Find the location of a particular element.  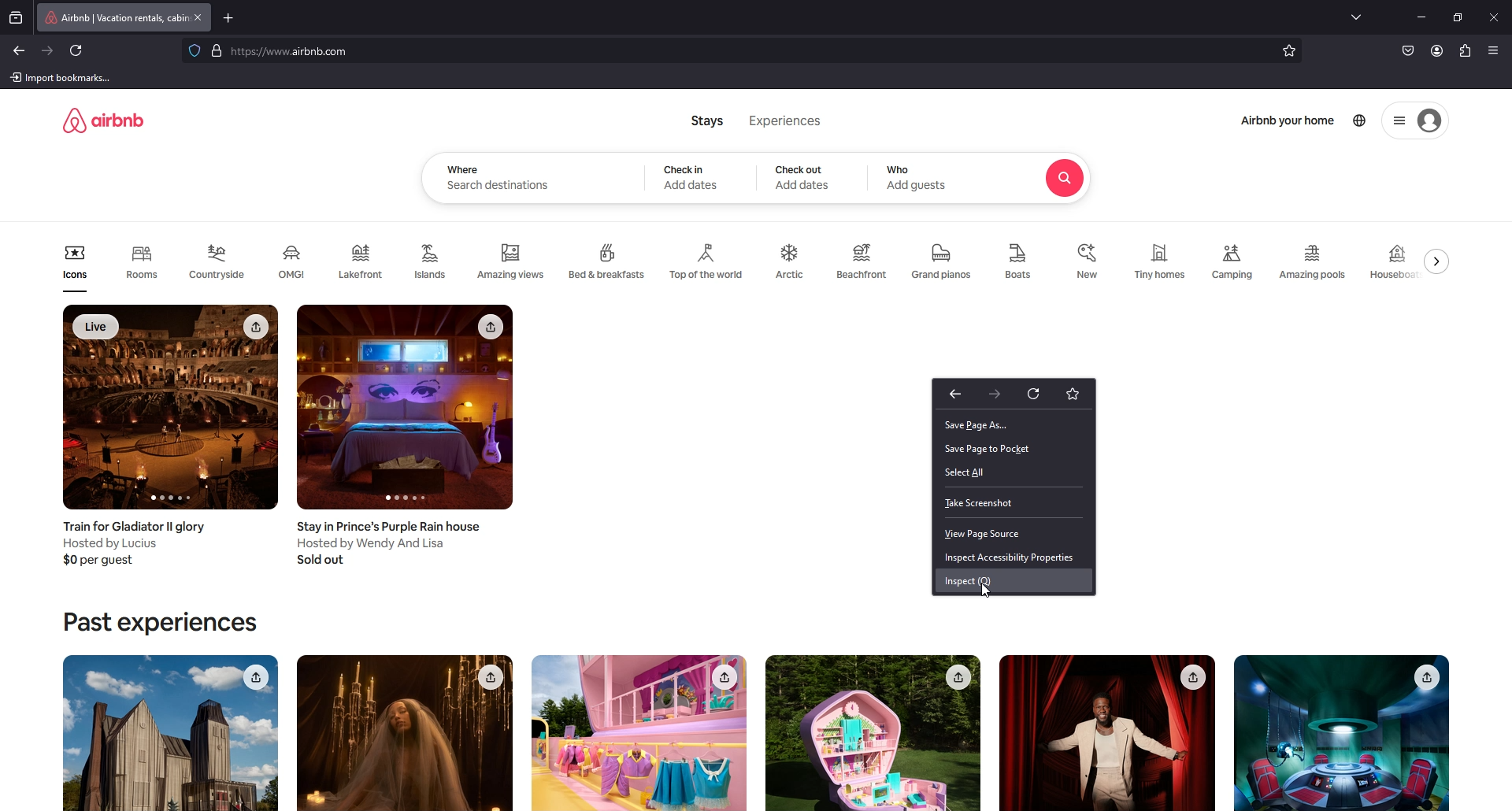

recent browsing is located at coordinates (19, 17).